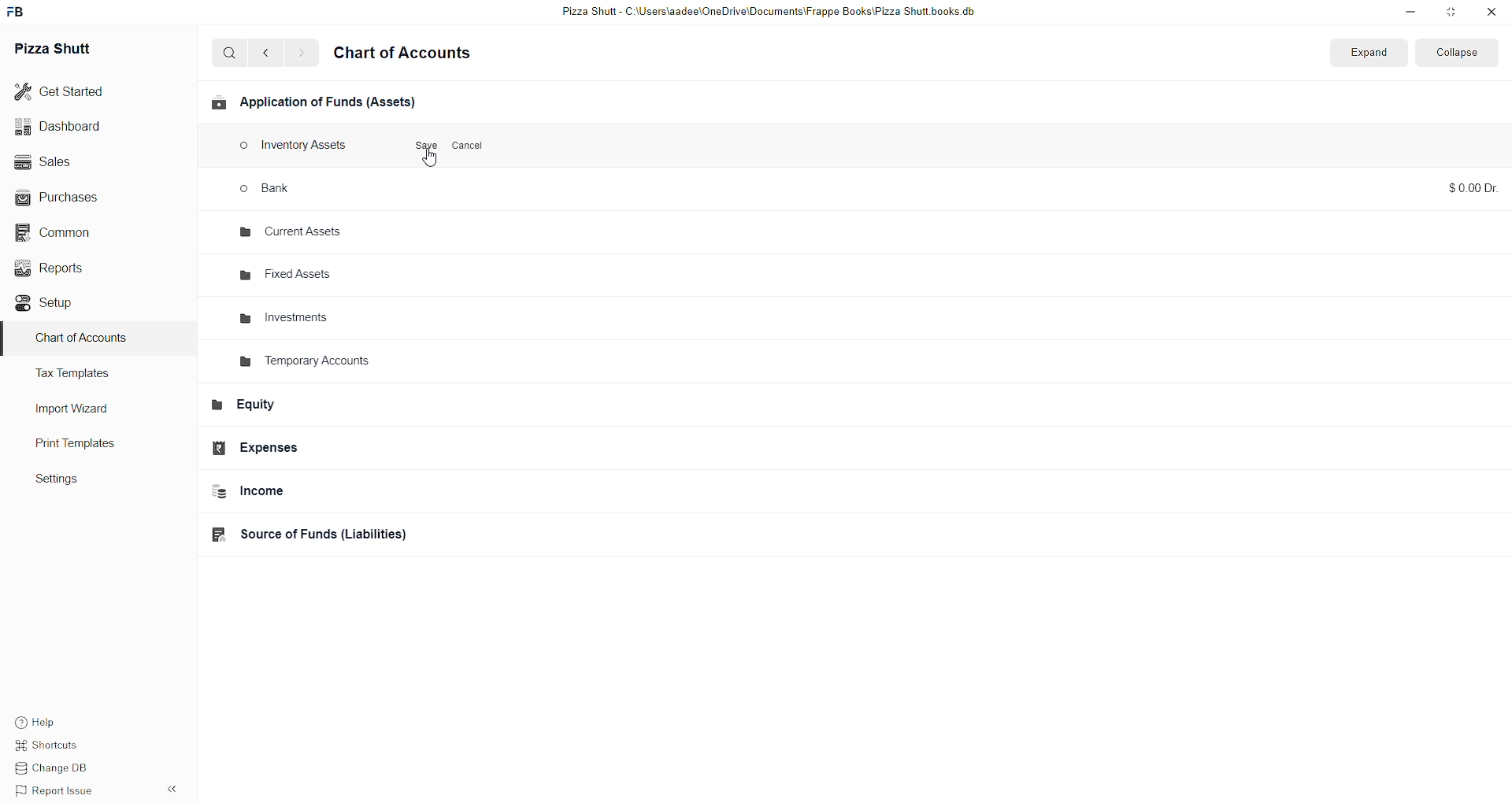  I want to click on Source of funds(Liabilities), so click(329, 534).